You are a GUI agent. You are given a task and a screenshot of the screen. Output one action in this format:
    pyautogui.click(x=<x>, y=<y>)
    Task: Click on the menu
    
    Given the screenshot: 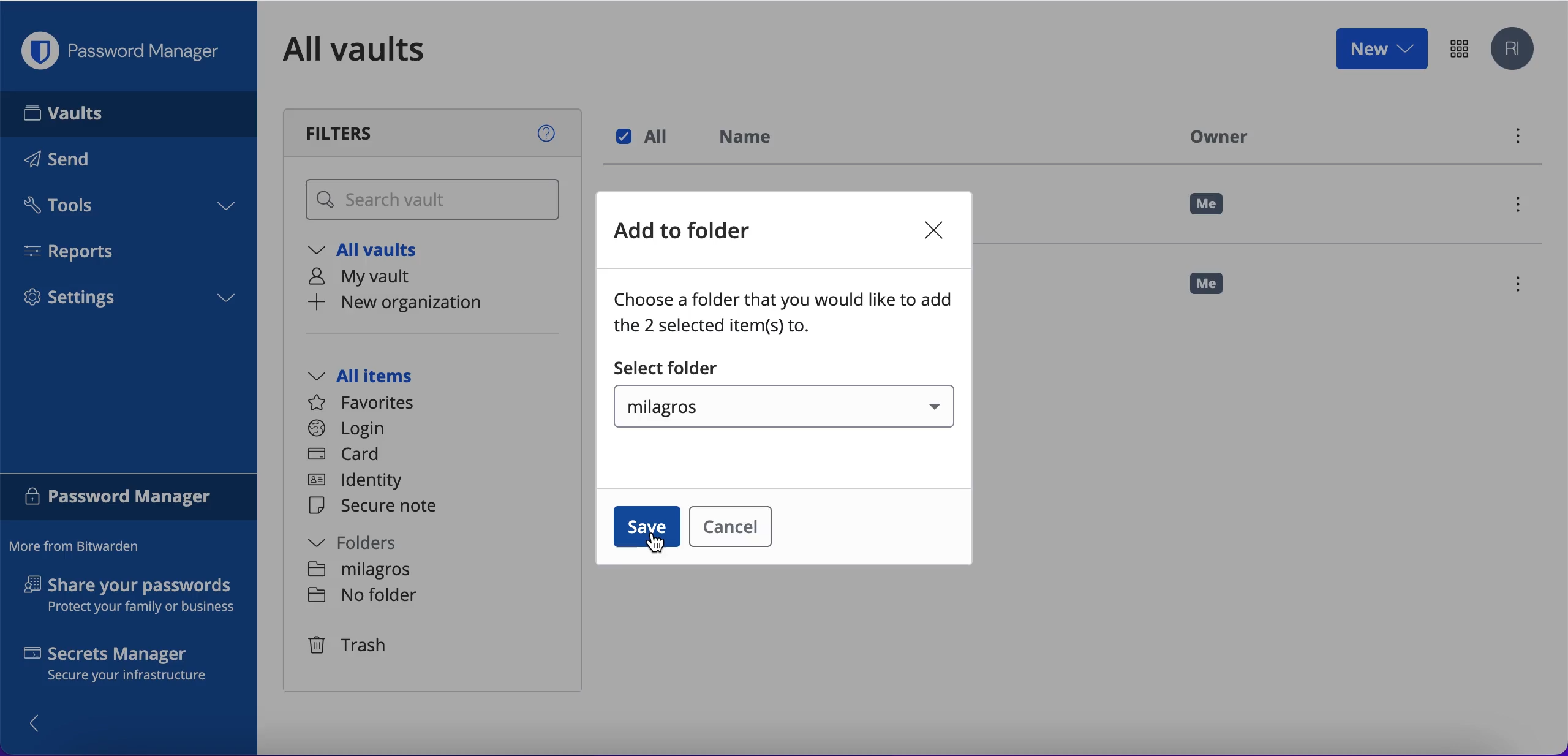 What is the action you would take?
    pyautogui.click(x=1523, y=286)
    